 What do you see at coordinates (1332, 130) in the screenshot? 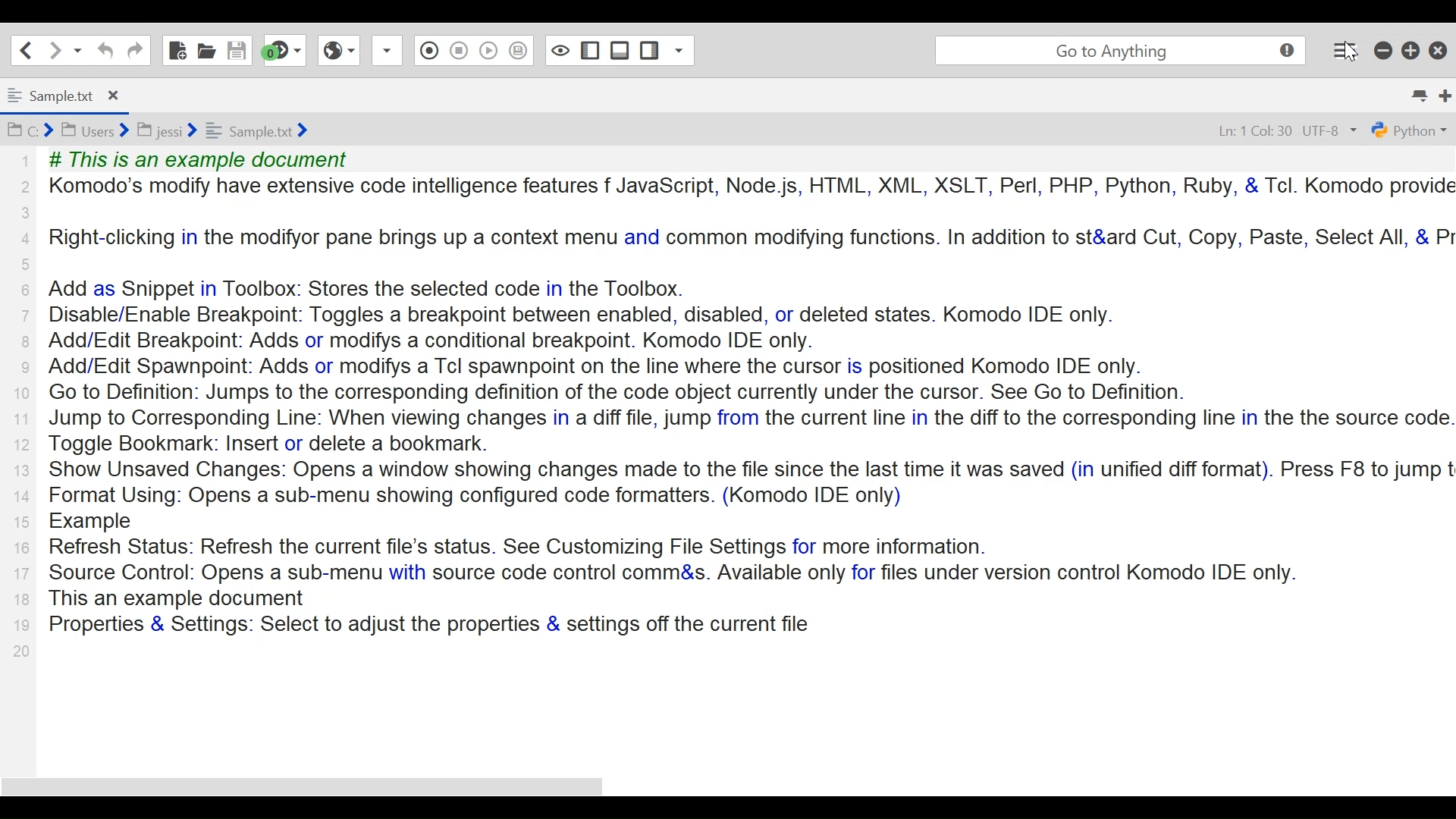
I see `UTF-8` at bounding box center [1332, 130].